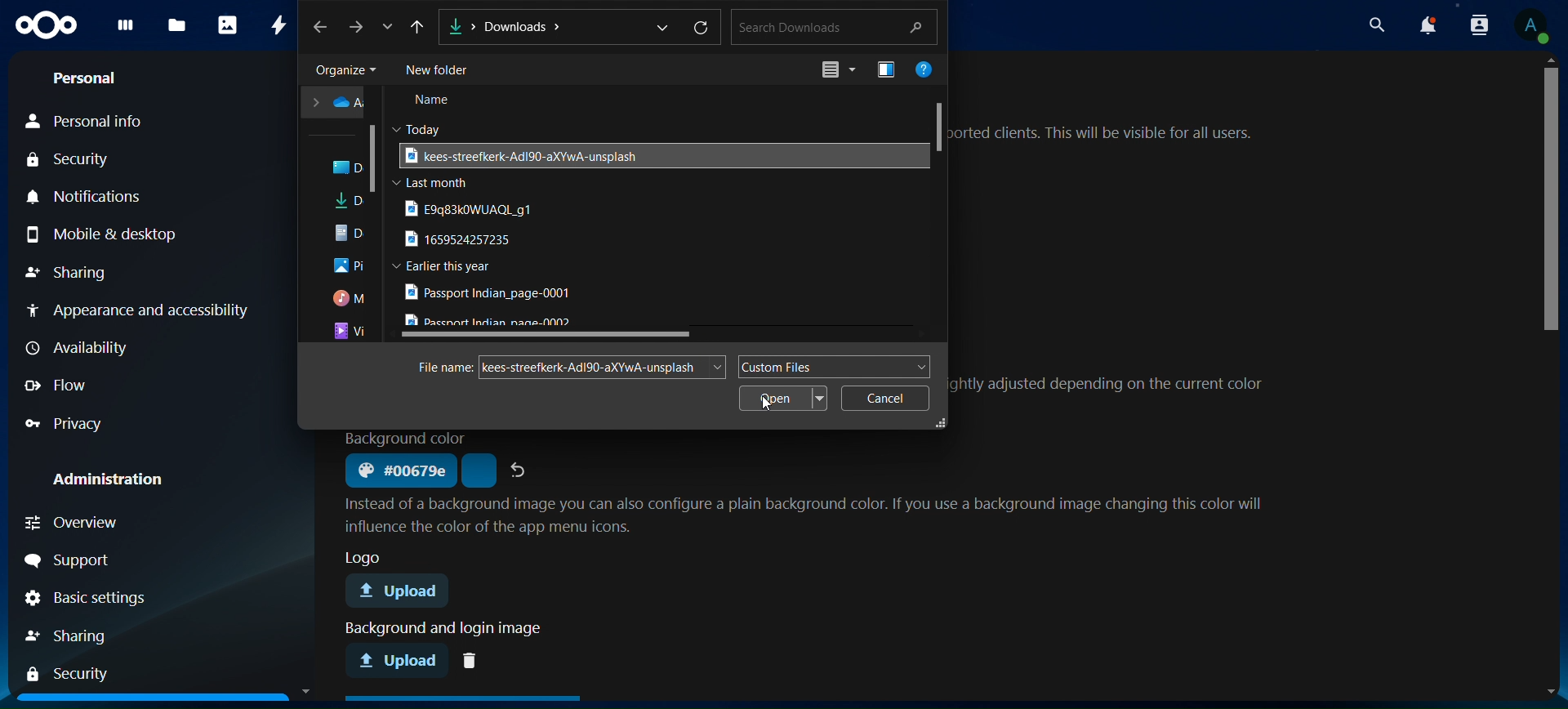 This screenshot has width=1568, height=709. What do you see at coordinates (832, 366) in the screenshot?
I see `custom files` at bounding box center [832, 366].